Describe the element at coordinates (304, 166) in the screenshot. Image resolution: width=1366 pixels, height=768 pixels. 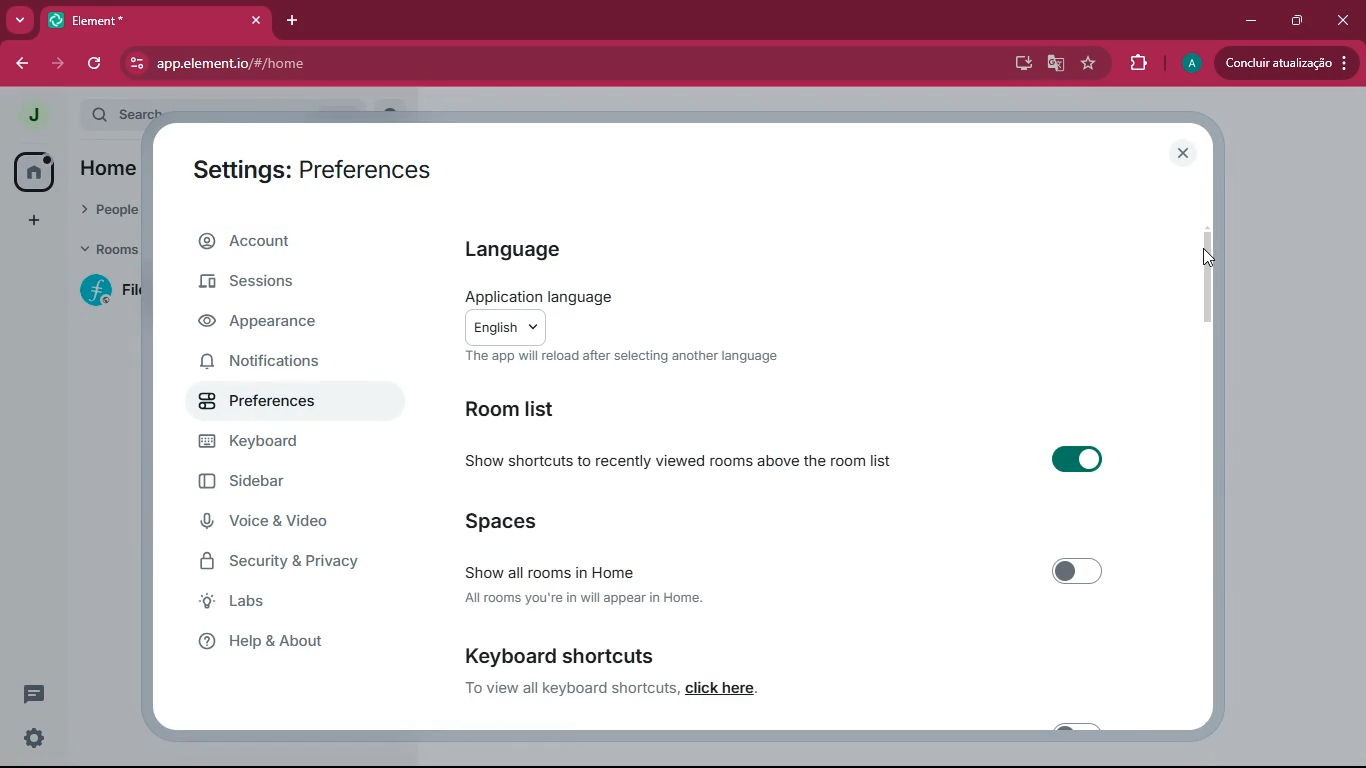
I see `settings: preferences` at that location.